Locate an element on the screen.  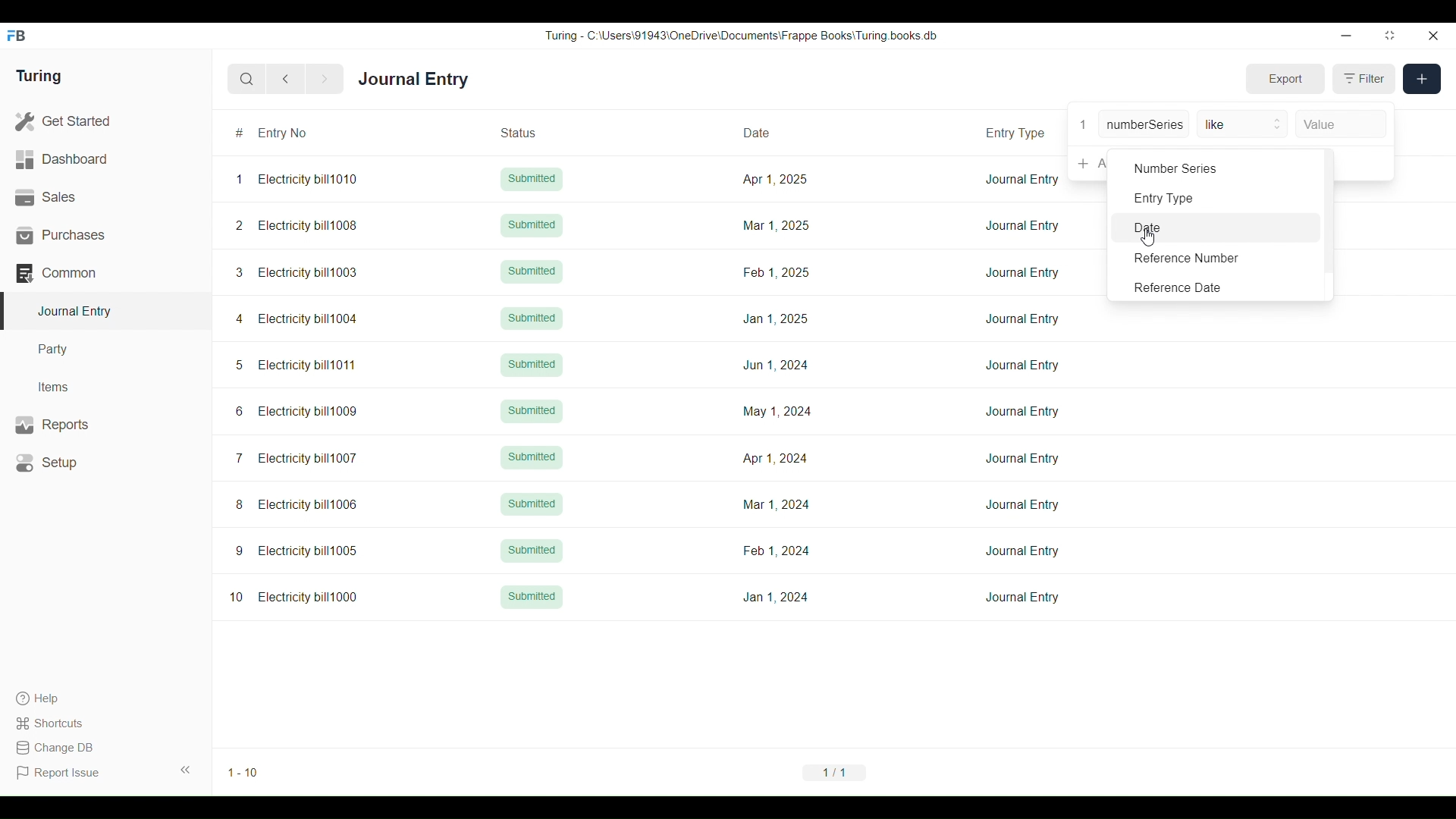
Reports is located at coordinates (107, 425).